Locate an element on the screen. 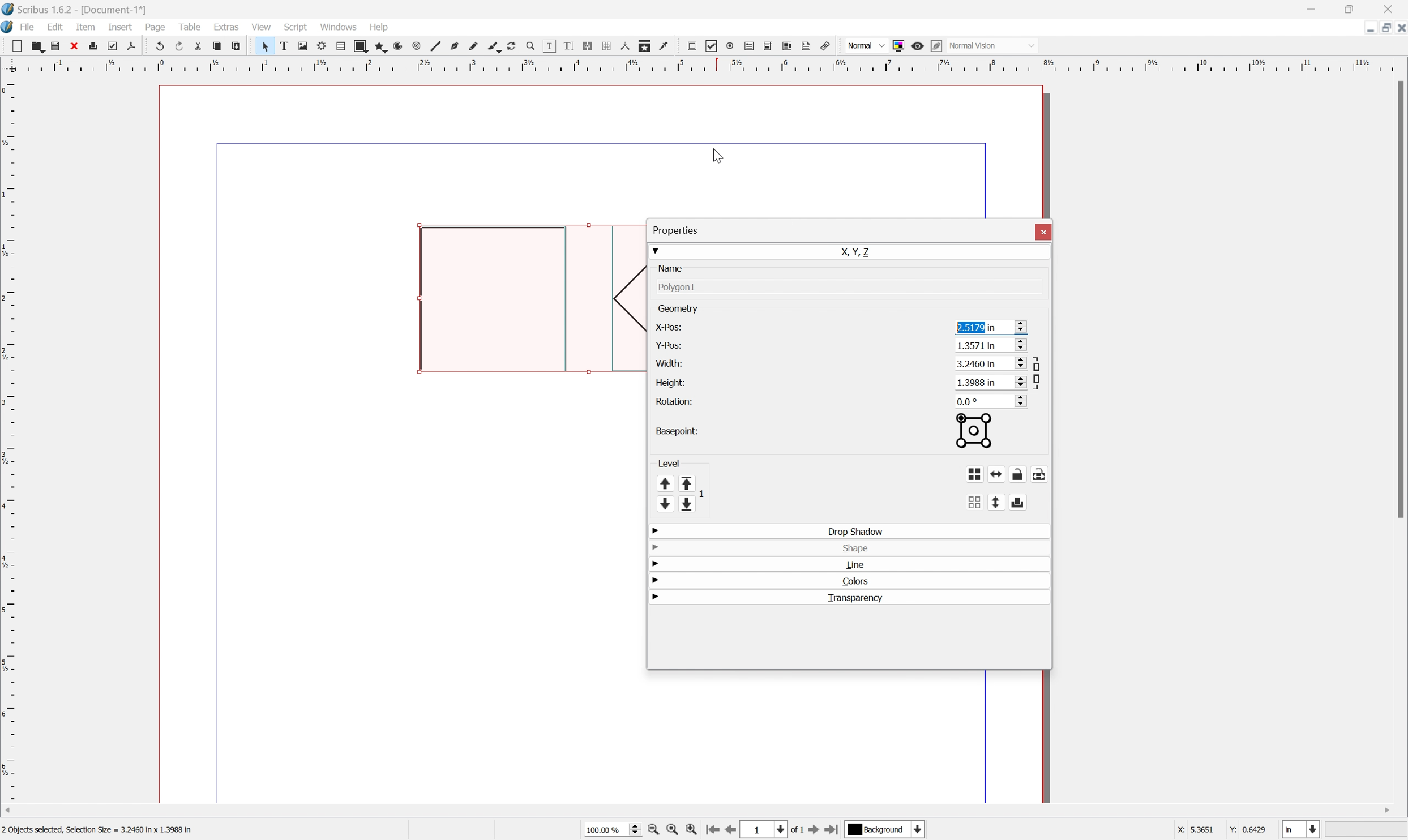 This screenshot has width=1408, height=840. Zoom in is located at coordinates (652, 830).